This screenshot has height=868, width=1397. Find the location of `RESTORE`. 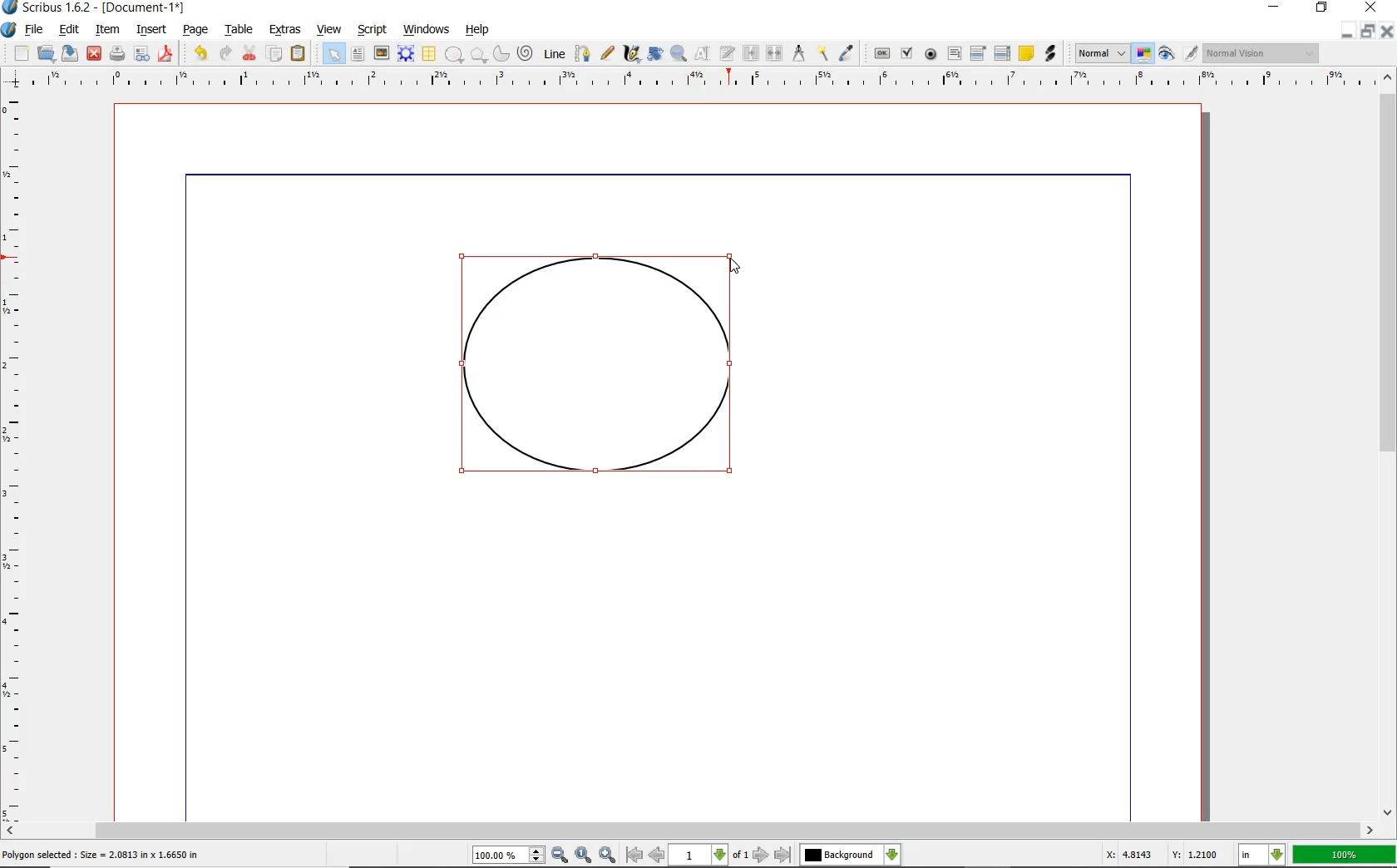

RESTORE is located at coordinates (1368, 32).